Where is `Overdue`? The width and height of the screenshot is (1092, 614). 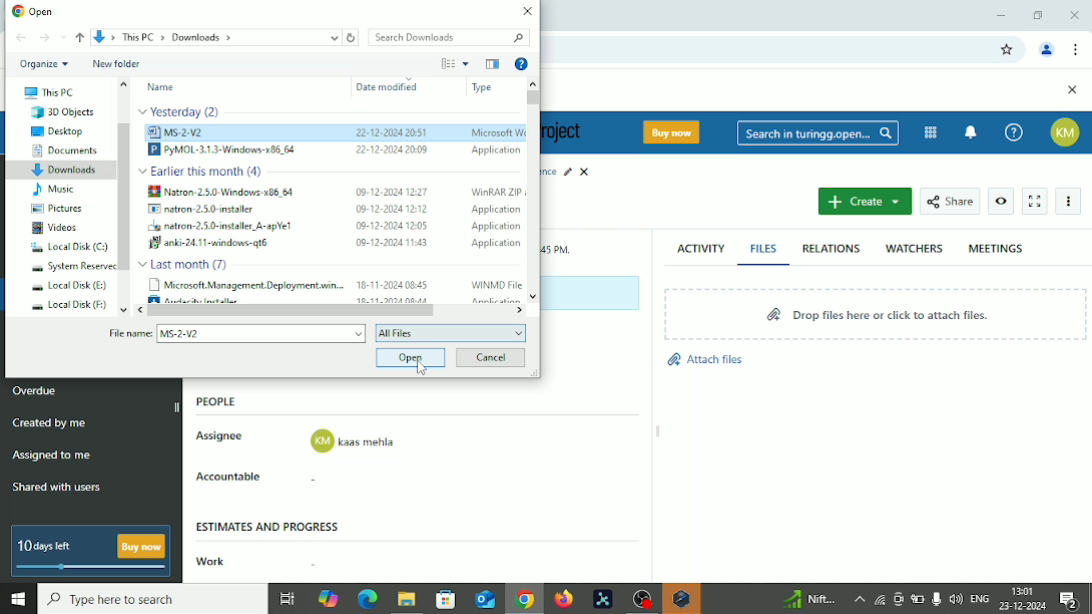
Overdue is located at coordinates (37, 391).